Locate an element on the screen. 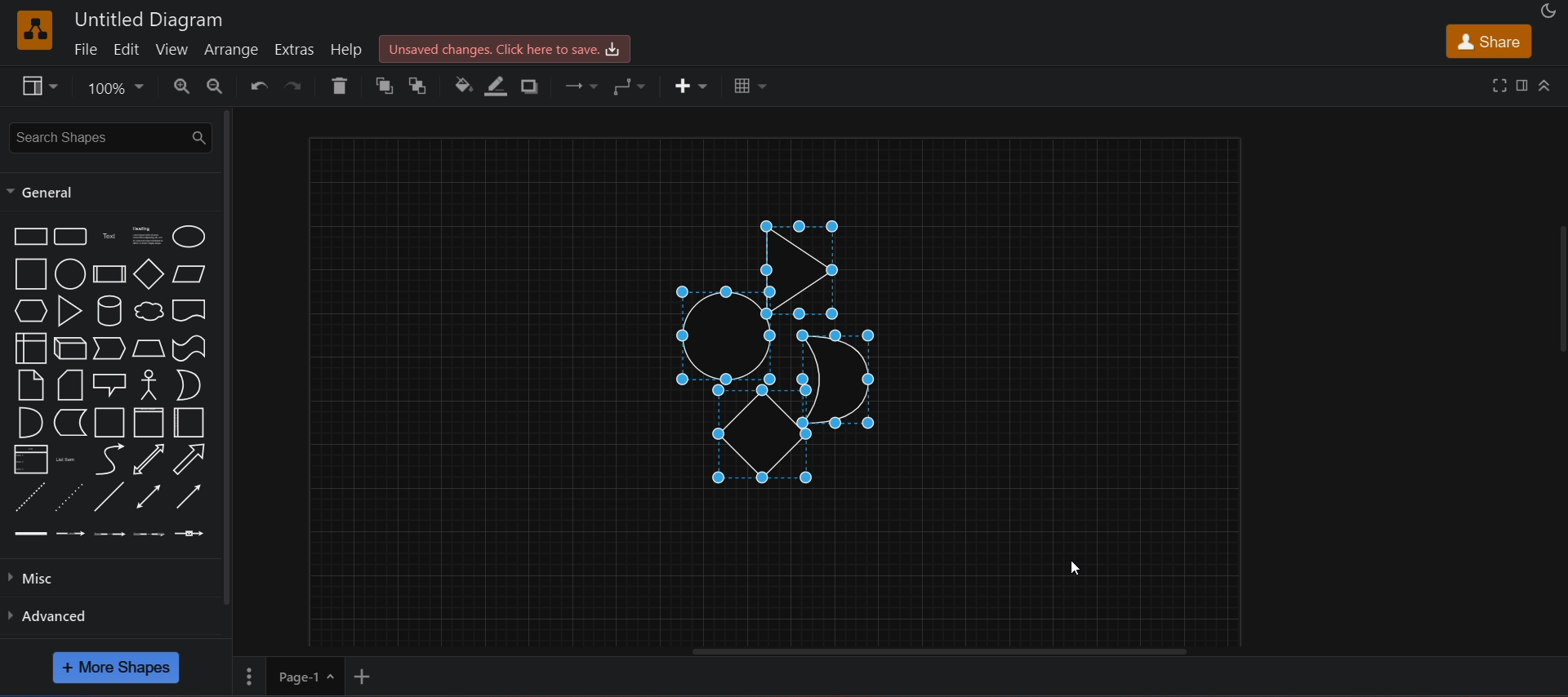  list item is located at coordinates (69, 459).